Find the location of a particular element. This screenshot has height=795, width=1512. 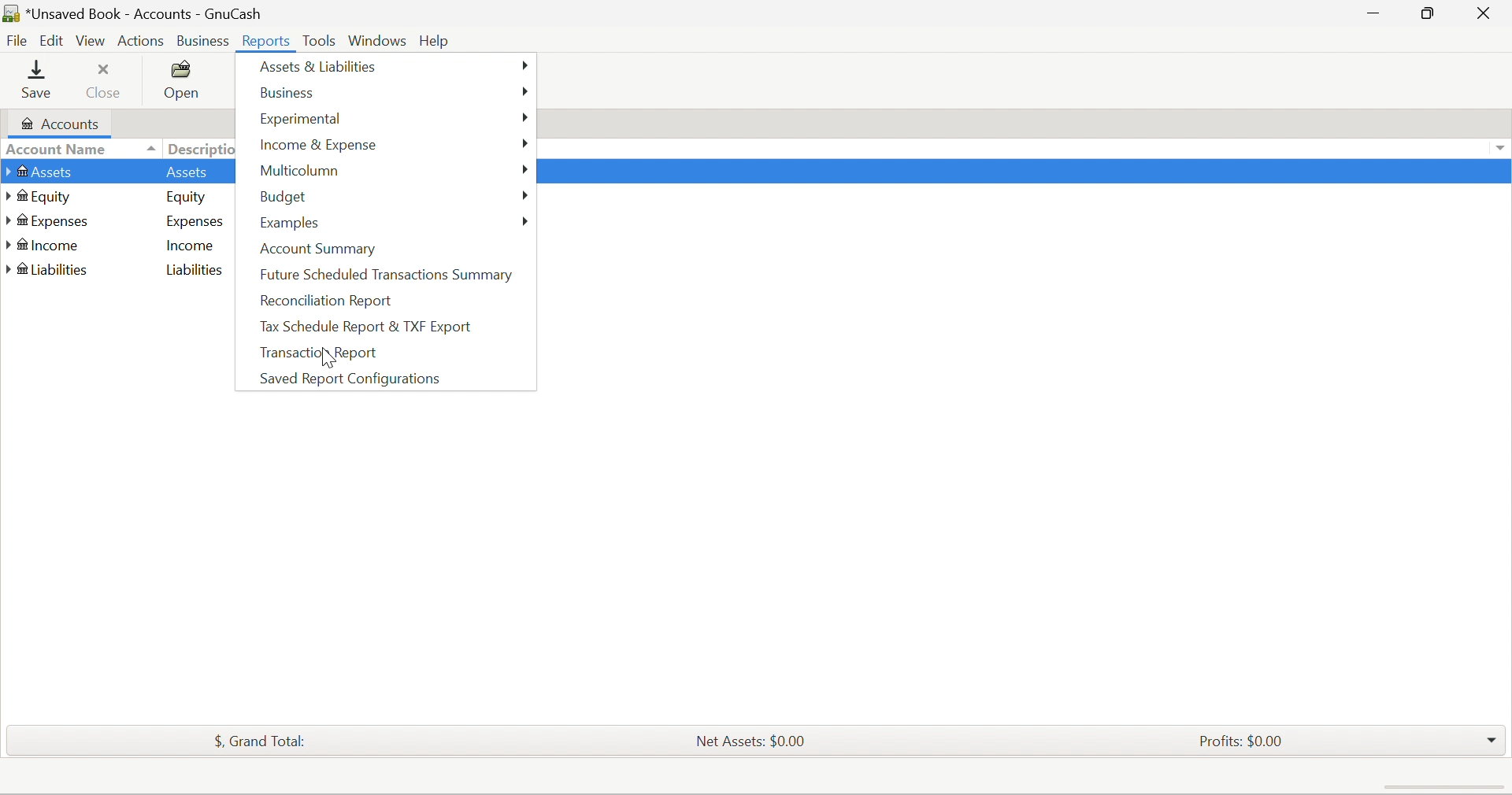

Assets & Liabilities is located at coordinates (317, 68).